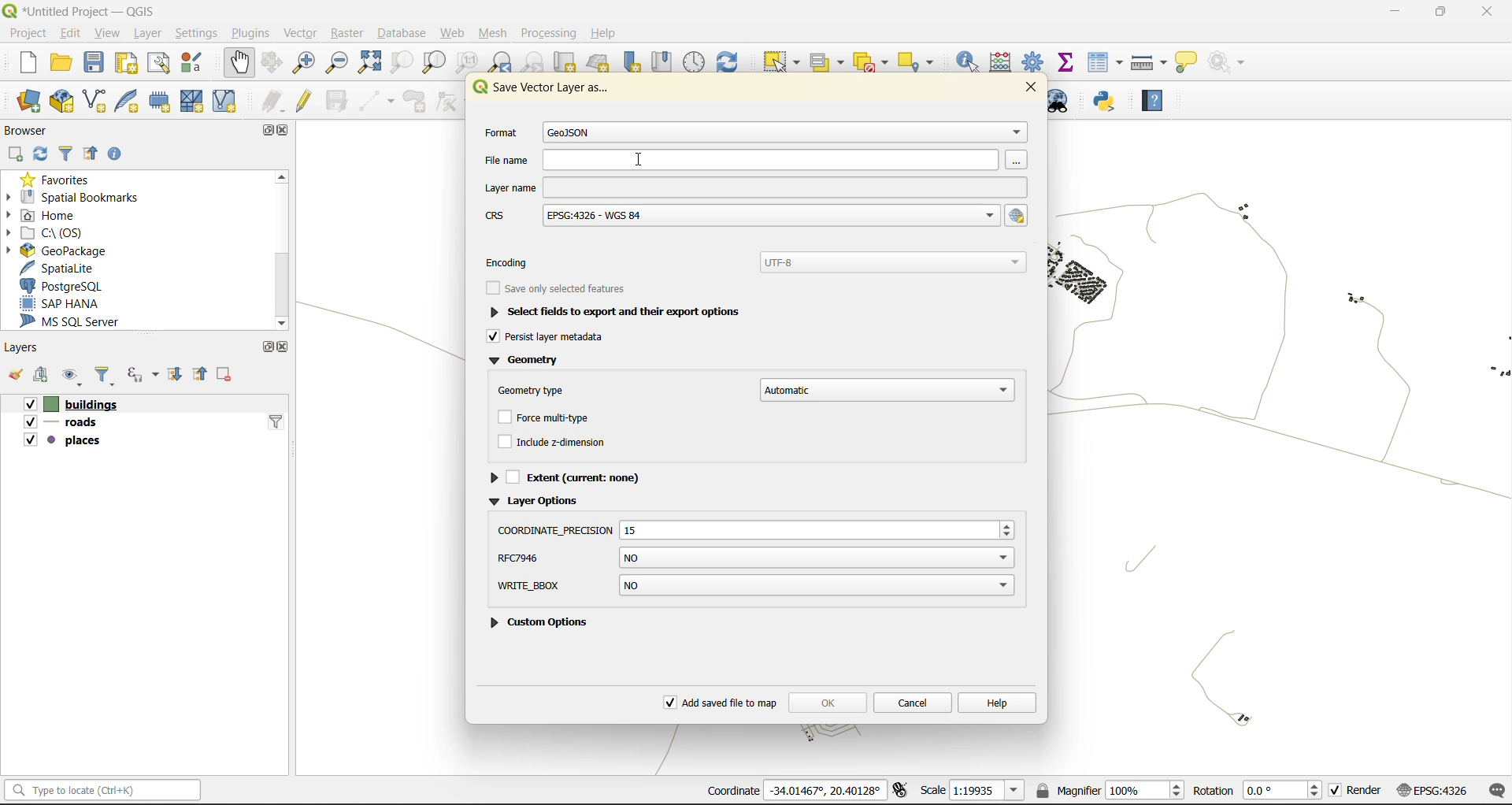 The height and width of the screenshot is (805, 1512). What do you see at coordinates (180, 375) in the screenshot?
I see `expand all` at bounding box center [180, 375].